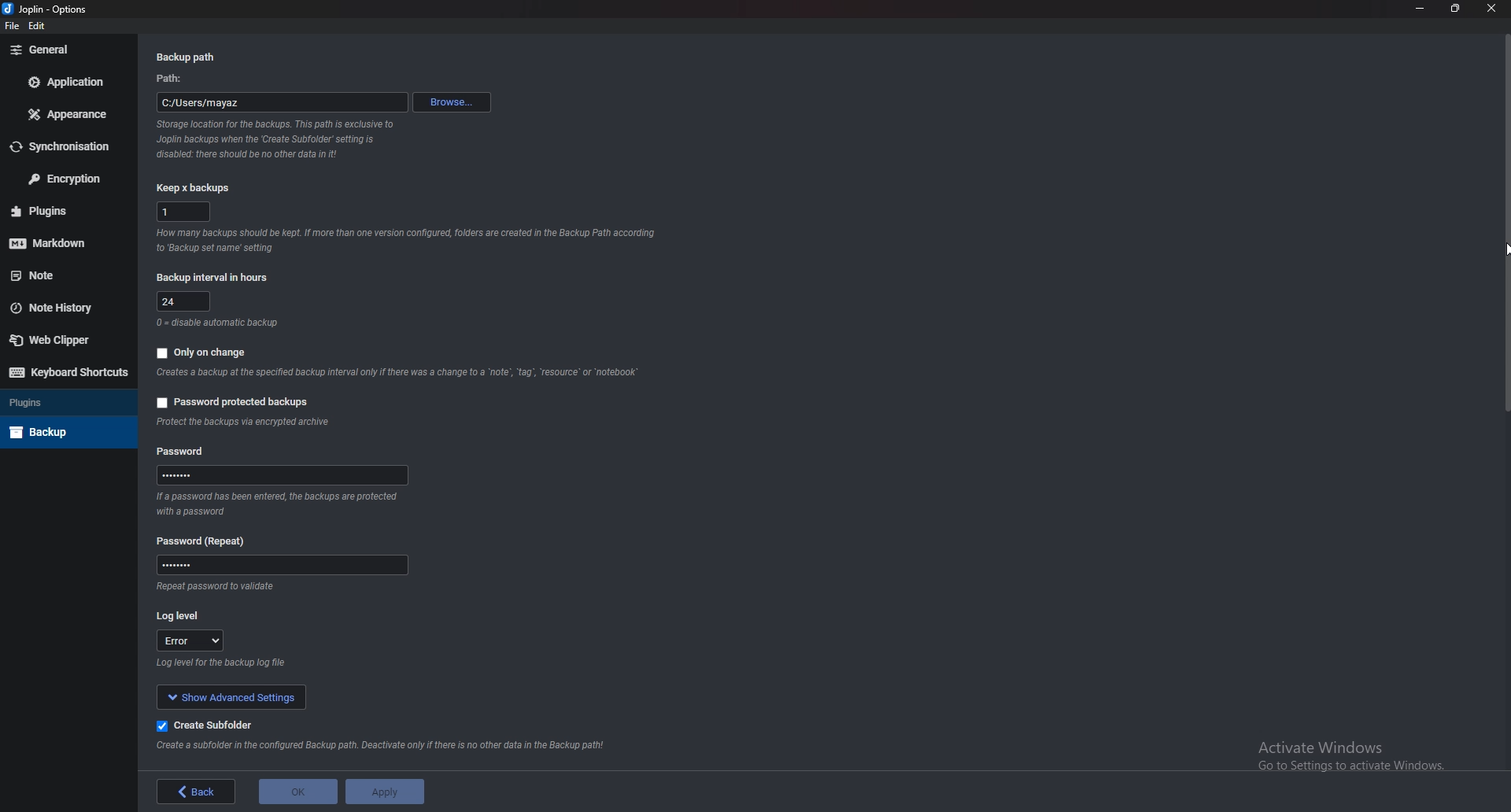 This screenshot has width=1511, height=812. What do you see at coordinates (282, 102) in the screenshot?
I see `path` at bounding box center [282, 102].